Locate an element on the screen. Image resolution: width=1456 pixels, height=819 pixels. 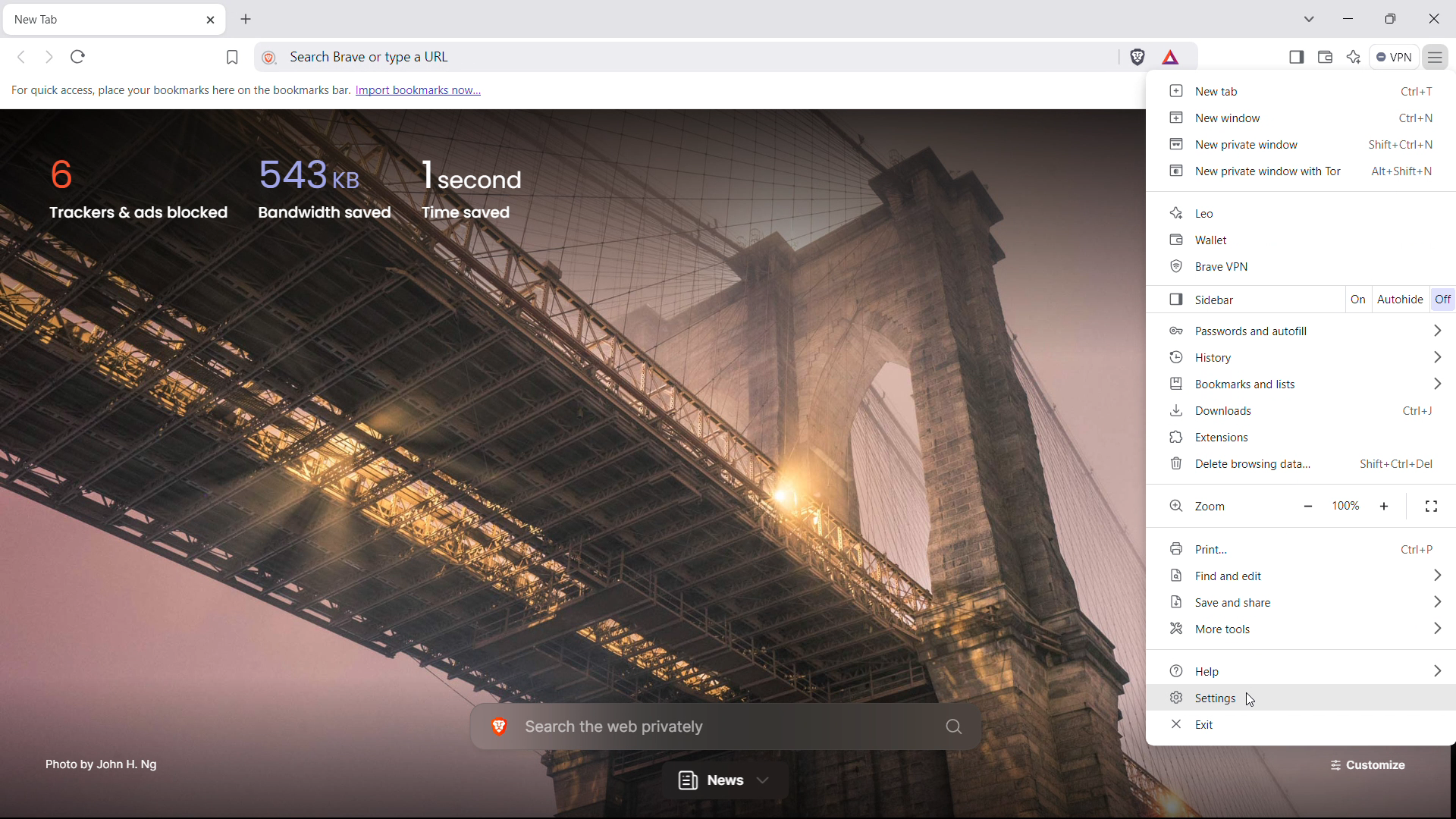
zoom out is located at coordinates (1307, 506).